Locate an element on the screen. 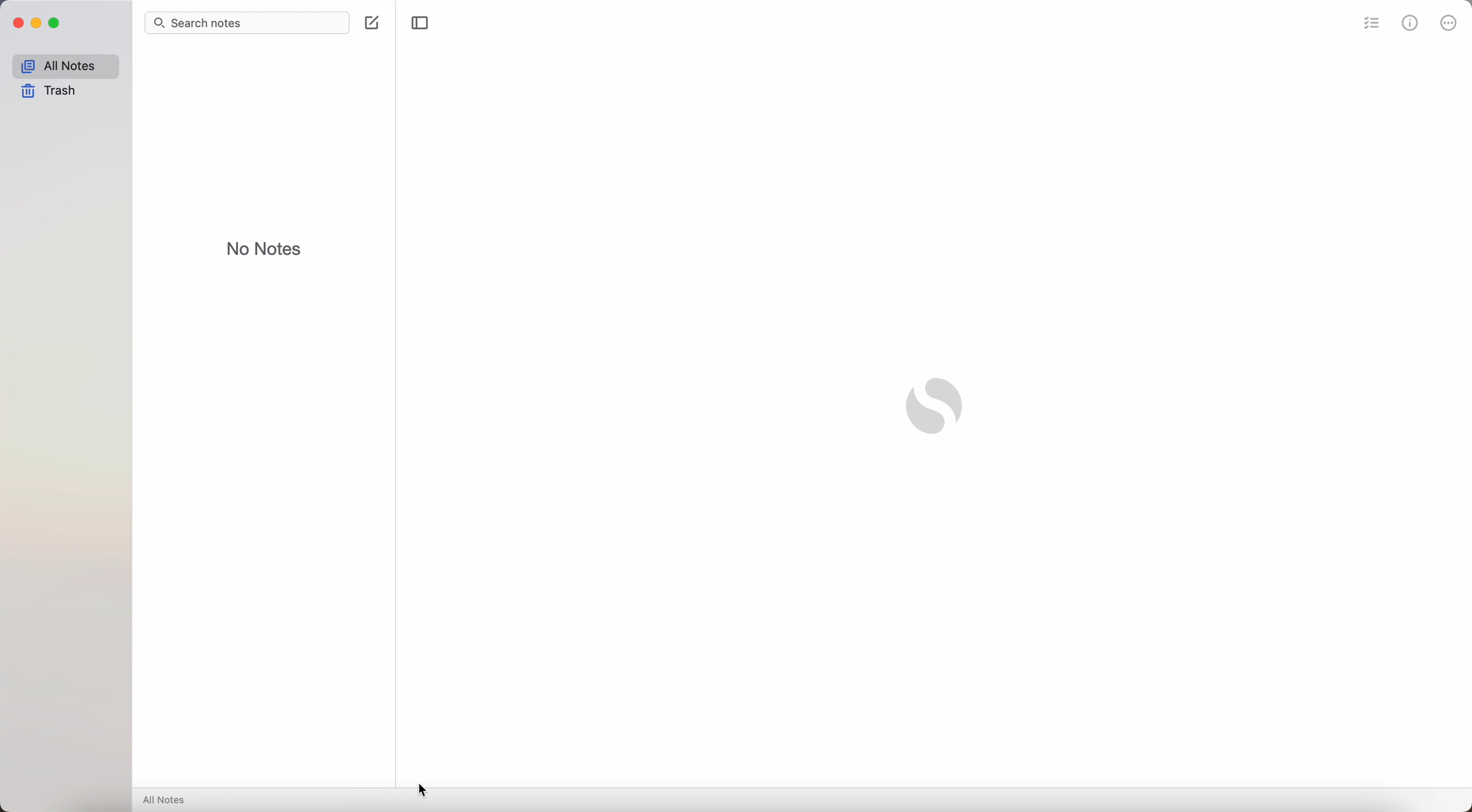 Image resolution: width=1472 pixels, height=812 pixels. Simplenote logo is located at coordinates (936, 406).